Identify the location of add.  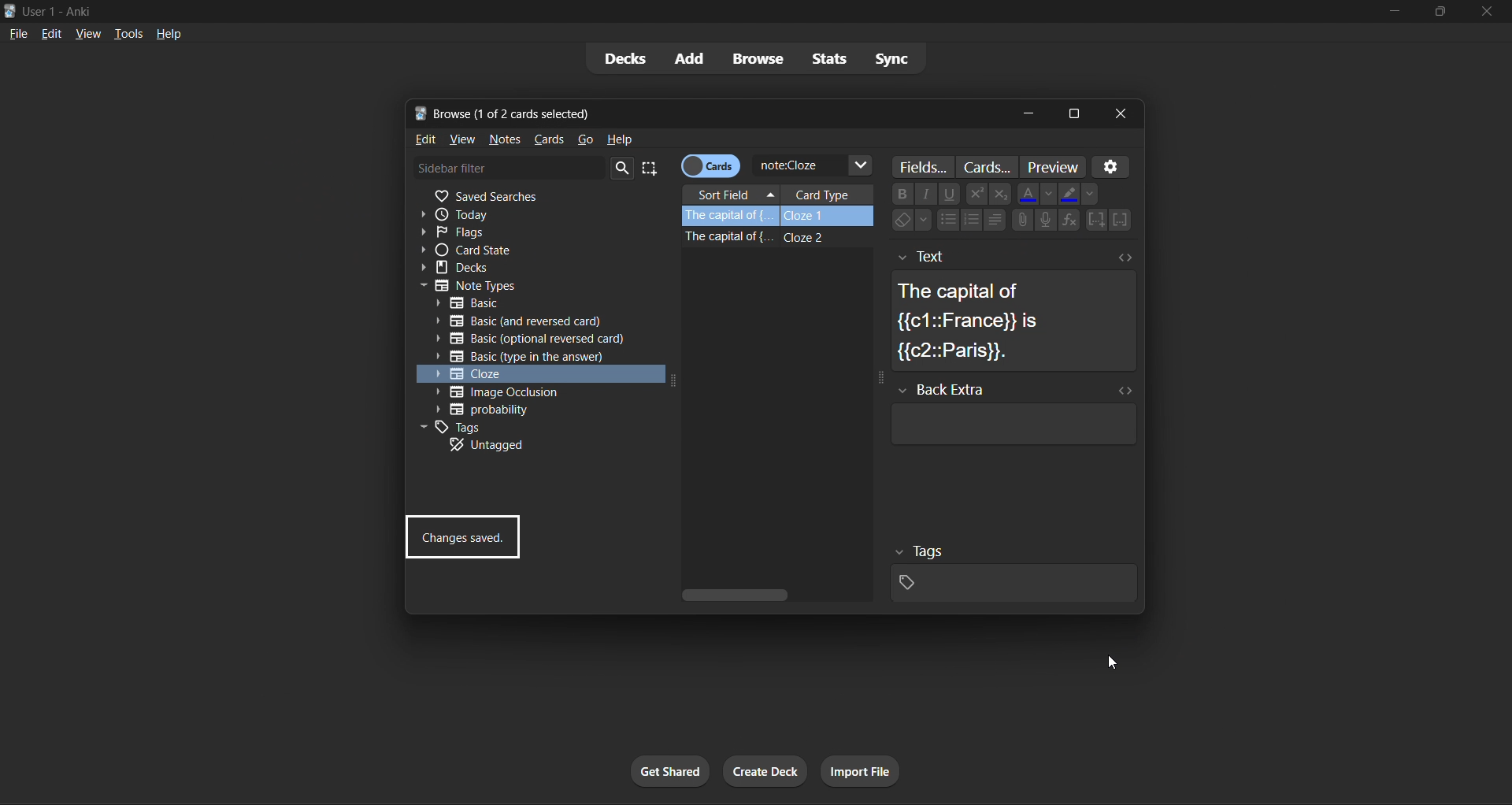
(689, 57).